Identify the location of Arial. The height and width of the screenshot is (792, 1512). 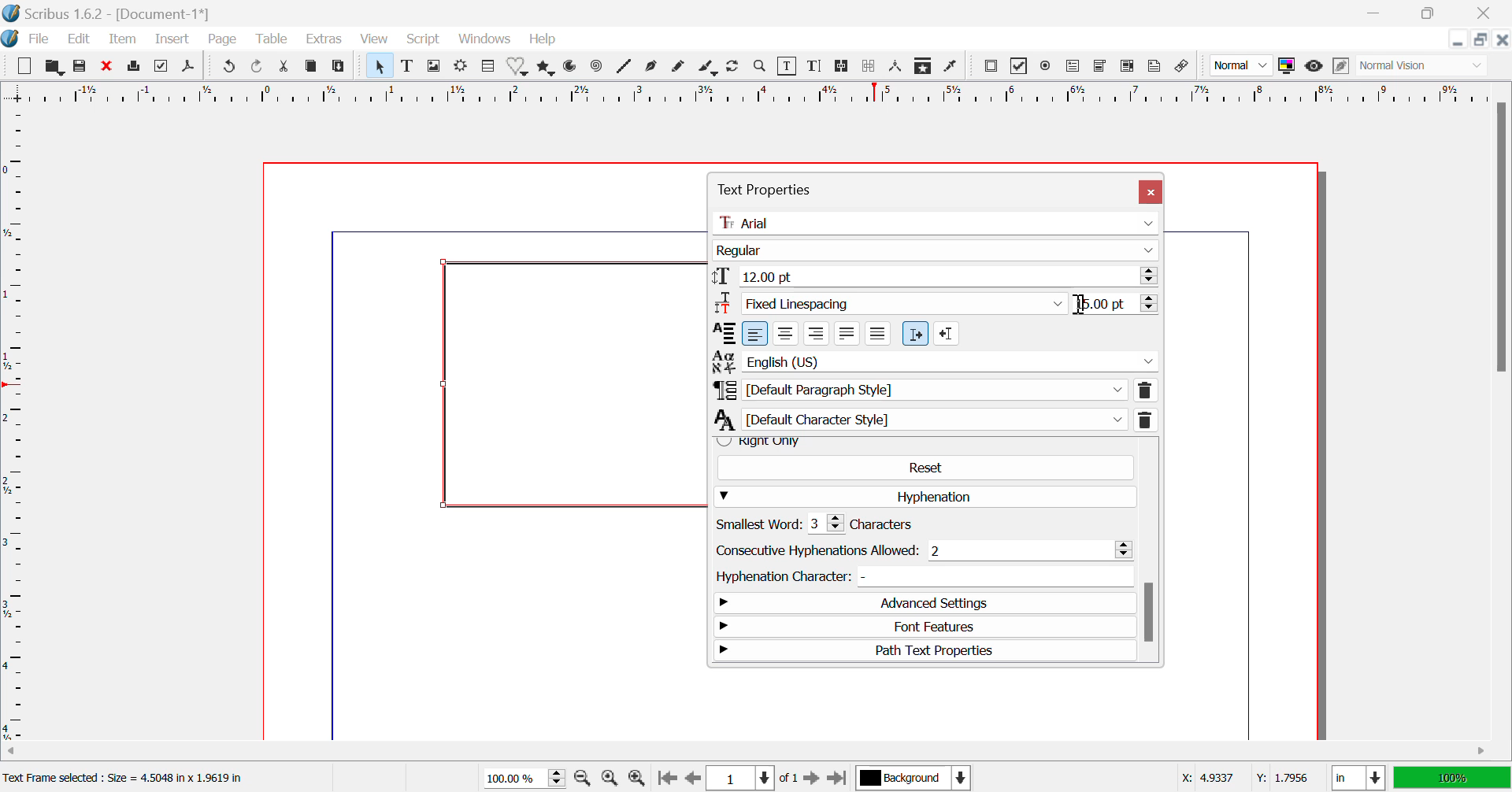
(939, 222).